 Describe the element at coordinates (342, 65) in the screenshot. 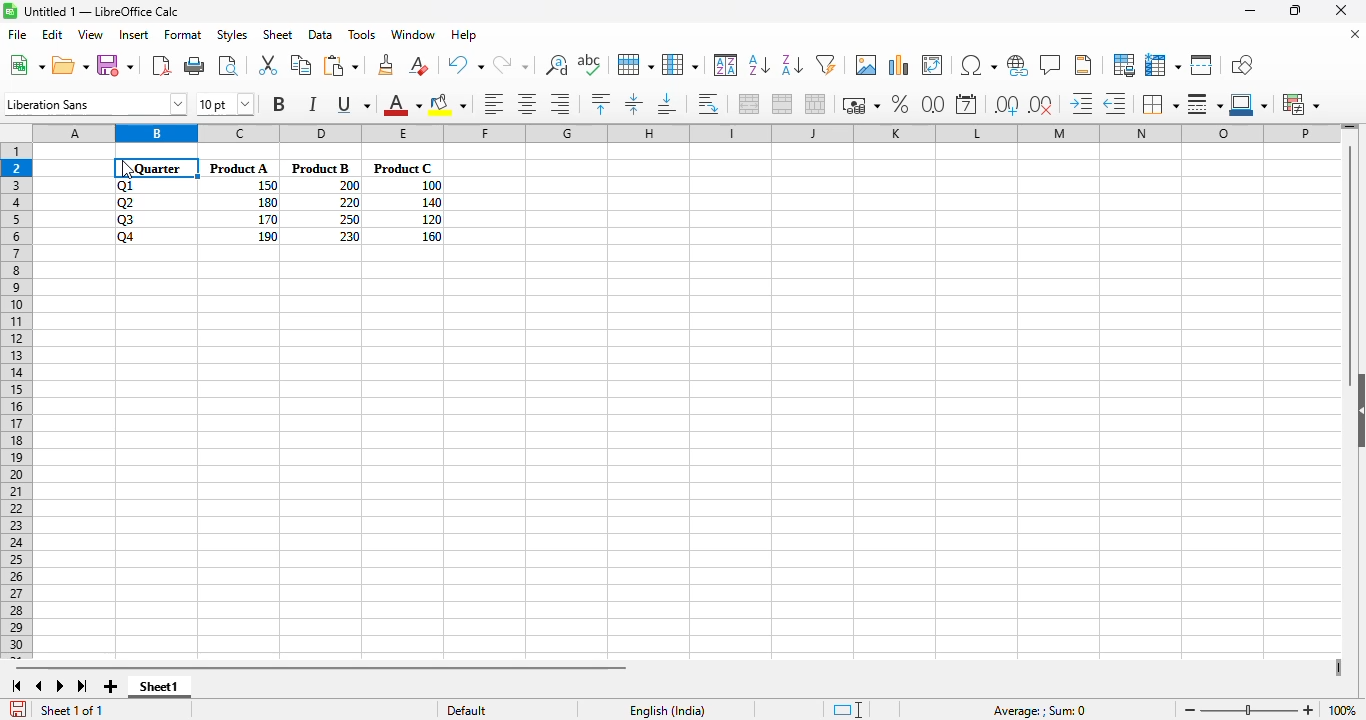

I see `paste` at that location.